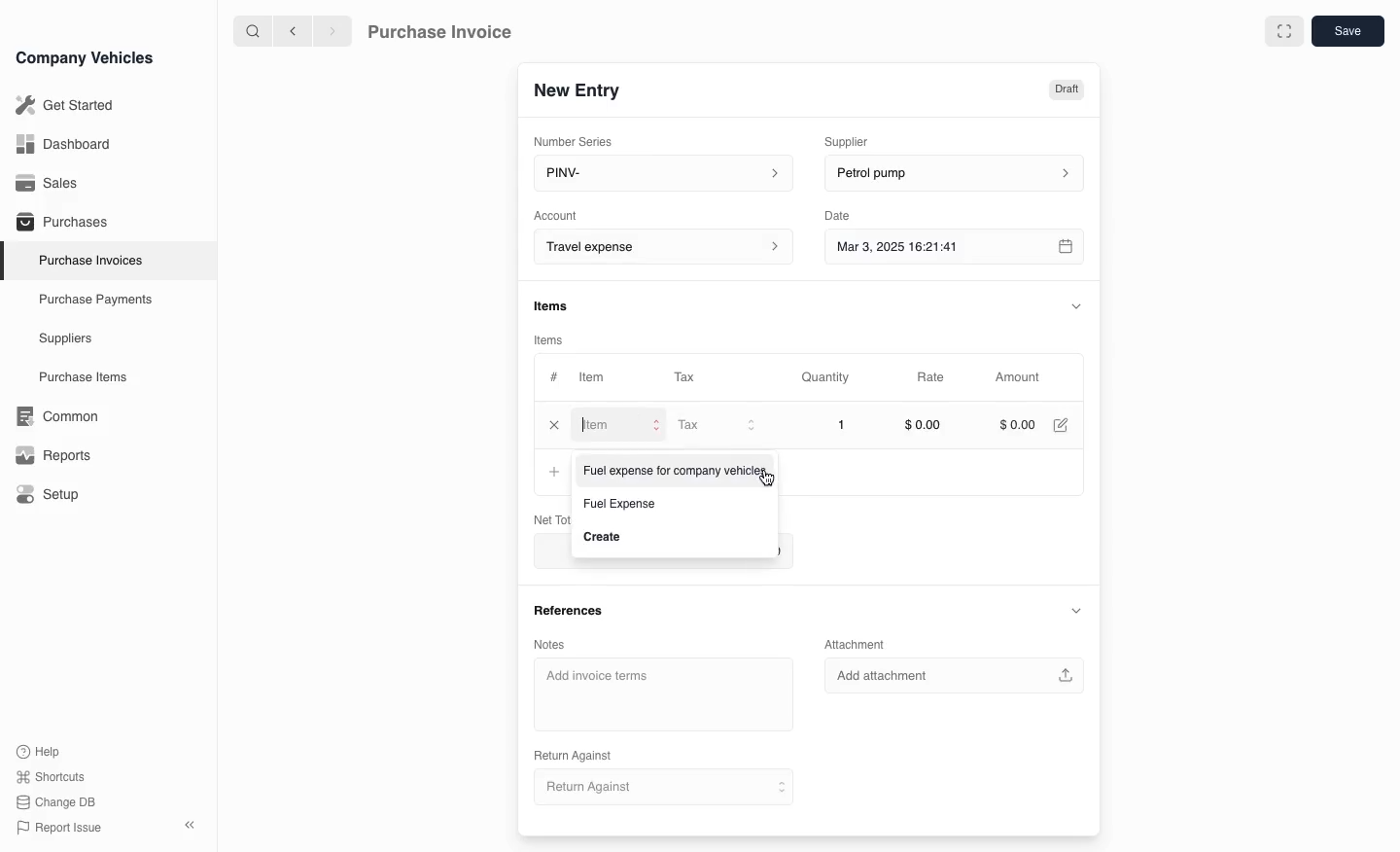 The image size is (1400, 852). Describe the element at coordinates (571, 610) in the screenshot. I see `References` at that location.